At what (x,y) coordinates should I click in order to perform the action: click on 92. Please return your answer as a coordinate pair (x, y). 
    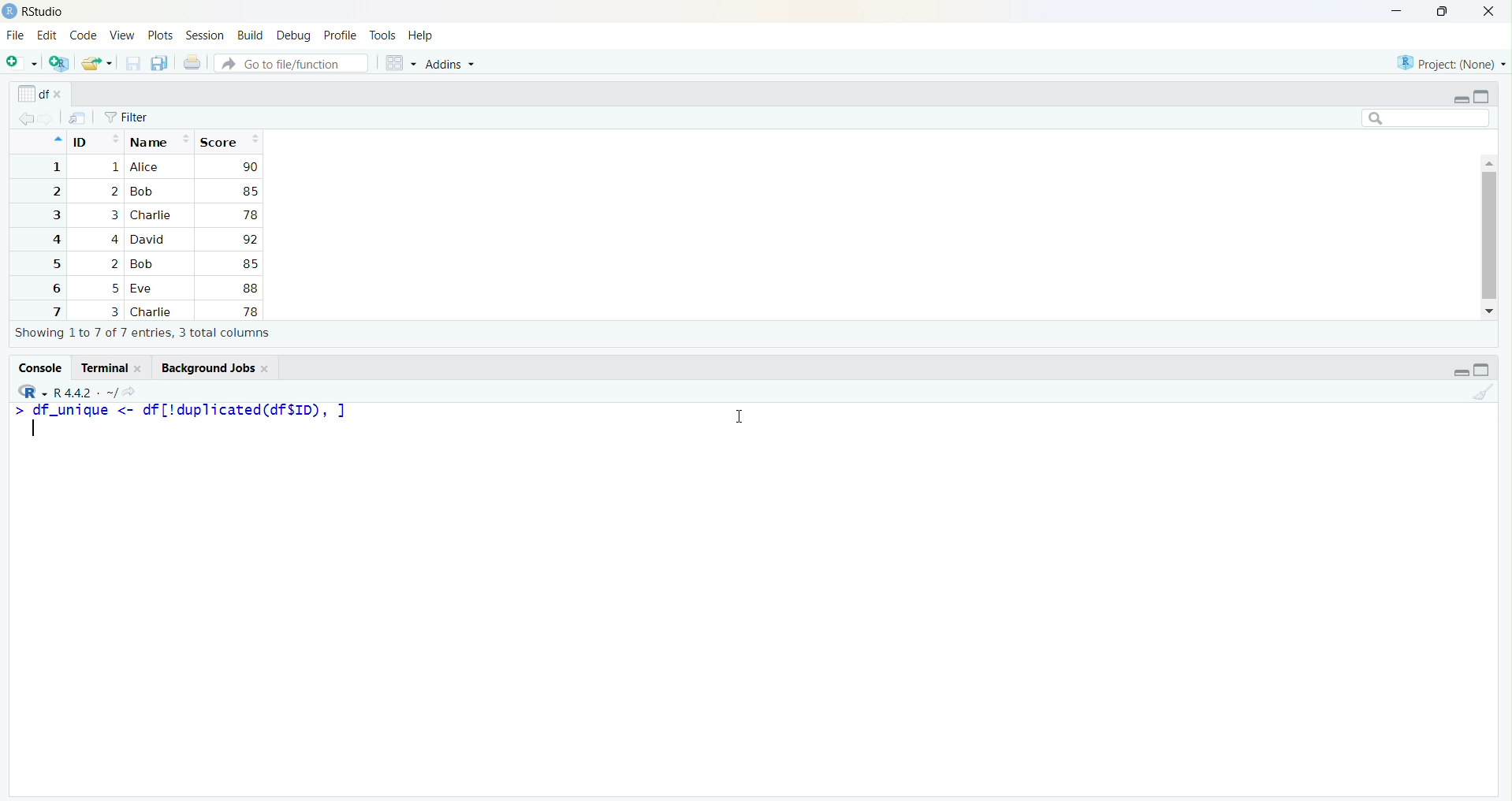
    Looking at the image, I should click on (249, 240).